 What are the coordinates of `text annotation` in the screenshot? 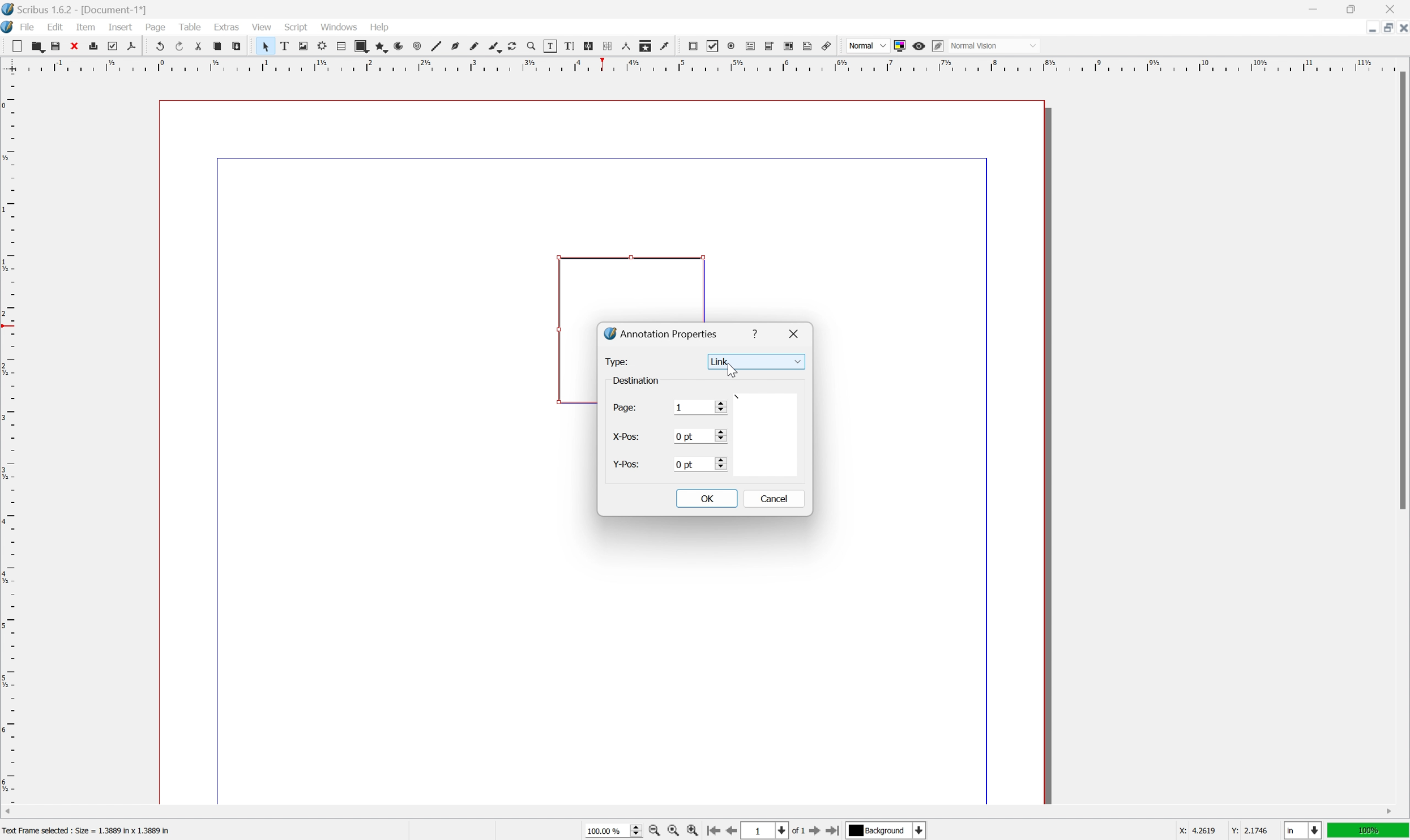 It's located at (808, 45).